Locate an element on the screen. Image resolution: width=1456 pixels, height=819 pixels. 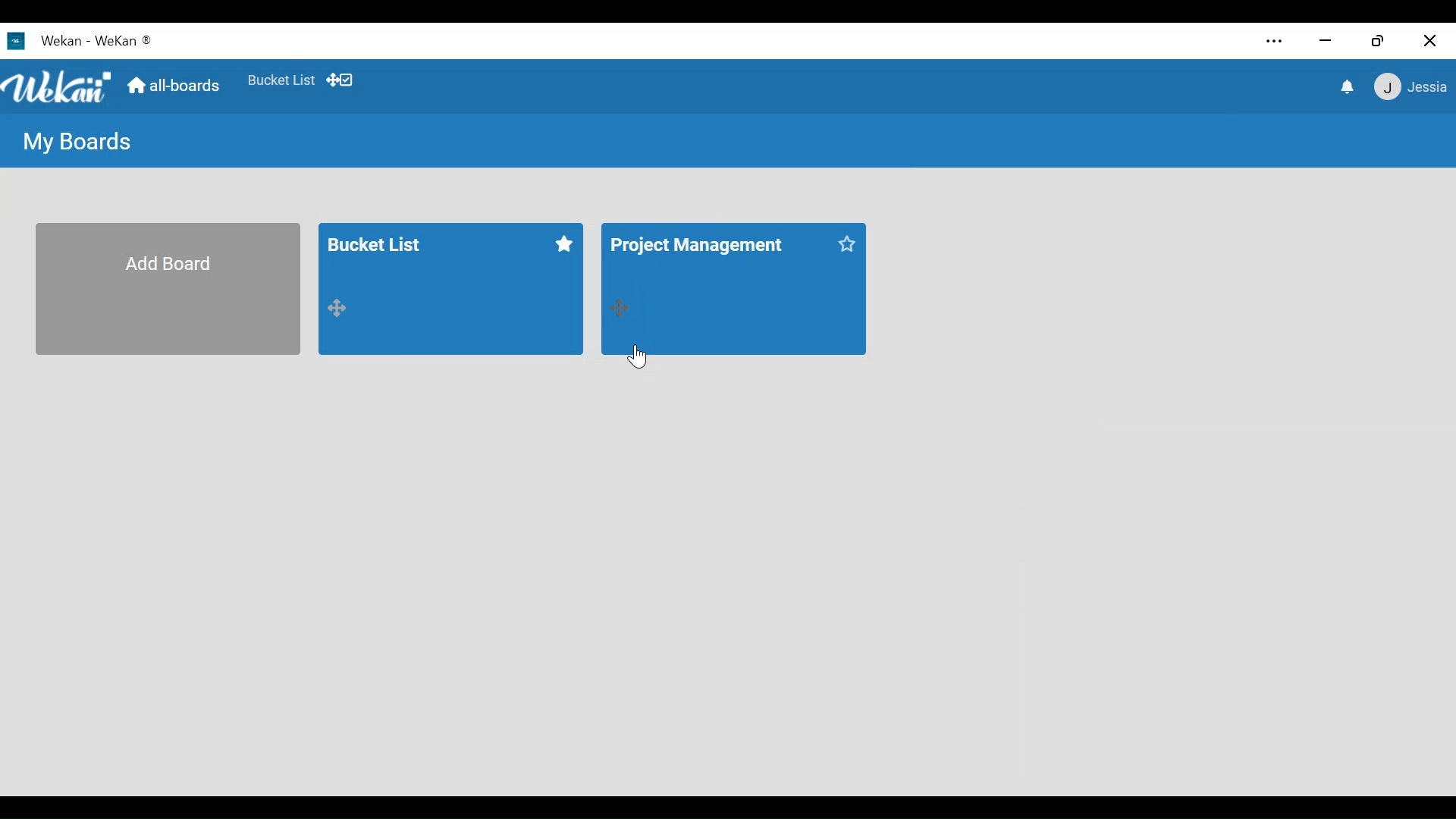
notifications is located at coordinates (1346, 86).